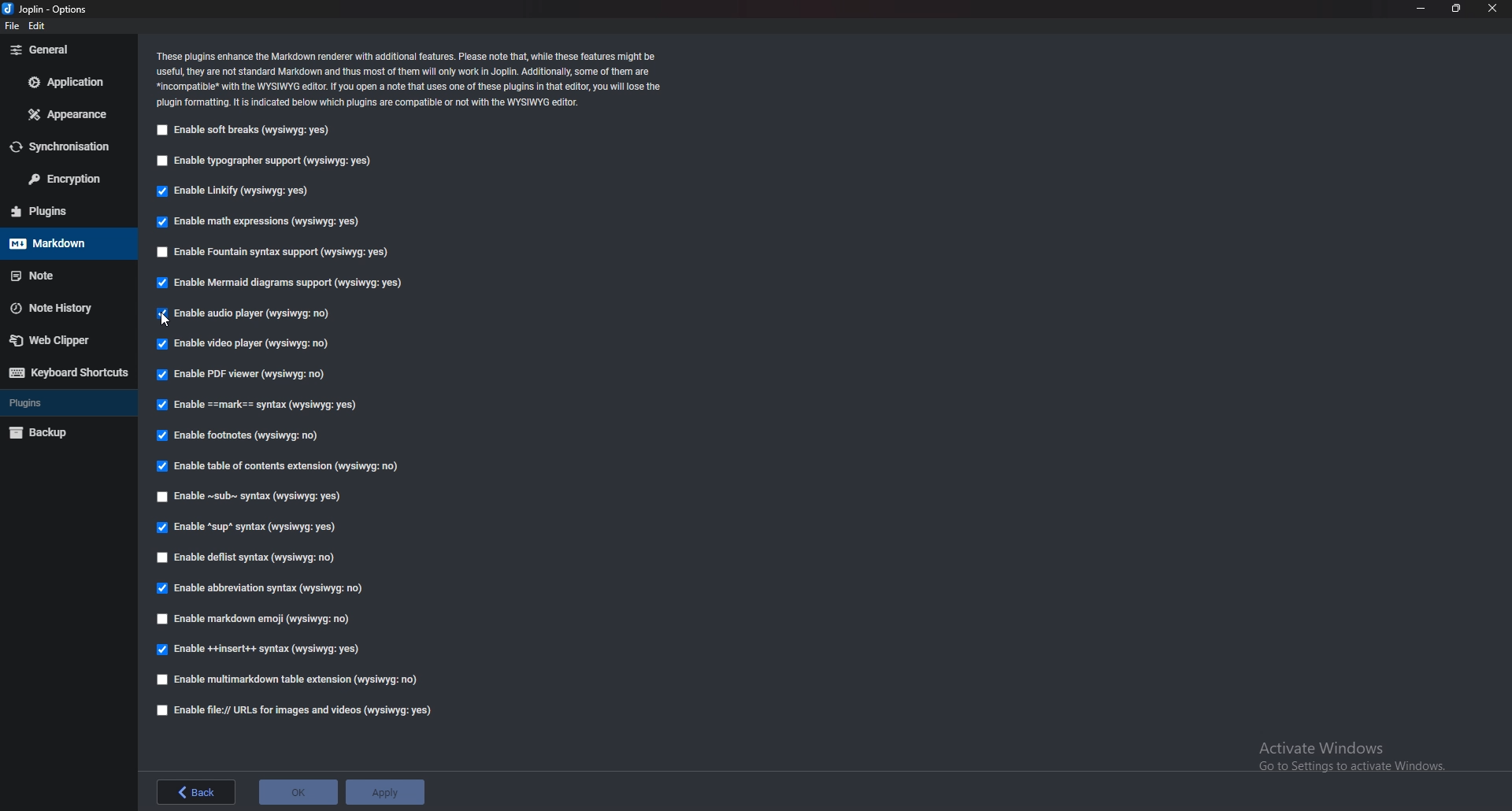 The image size is (1512, 811). I want to click on enable abbreviation syntax, so click(273, 589).